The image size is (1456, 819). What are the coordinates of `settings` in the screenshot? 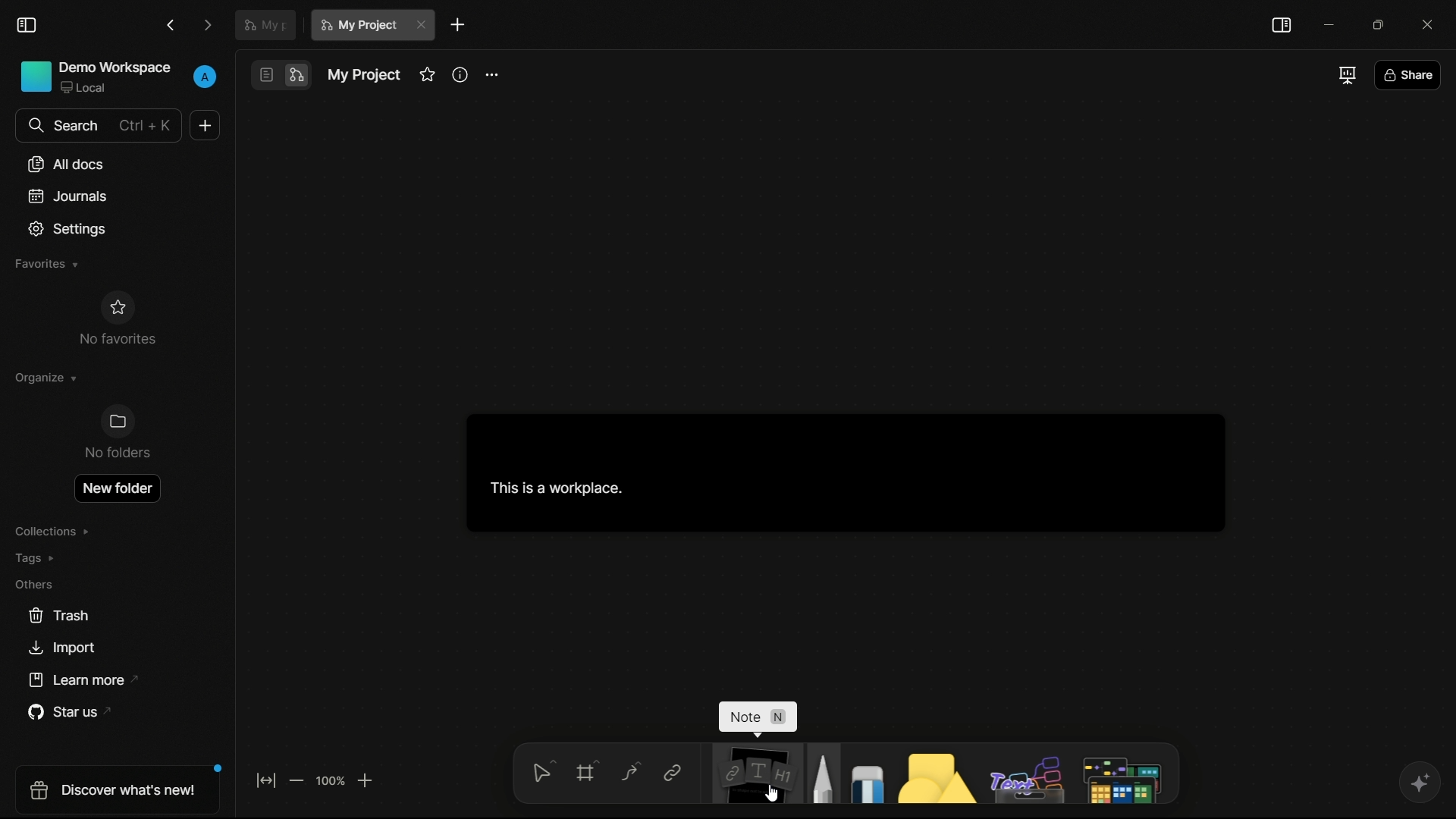 It's located at (65, 227).